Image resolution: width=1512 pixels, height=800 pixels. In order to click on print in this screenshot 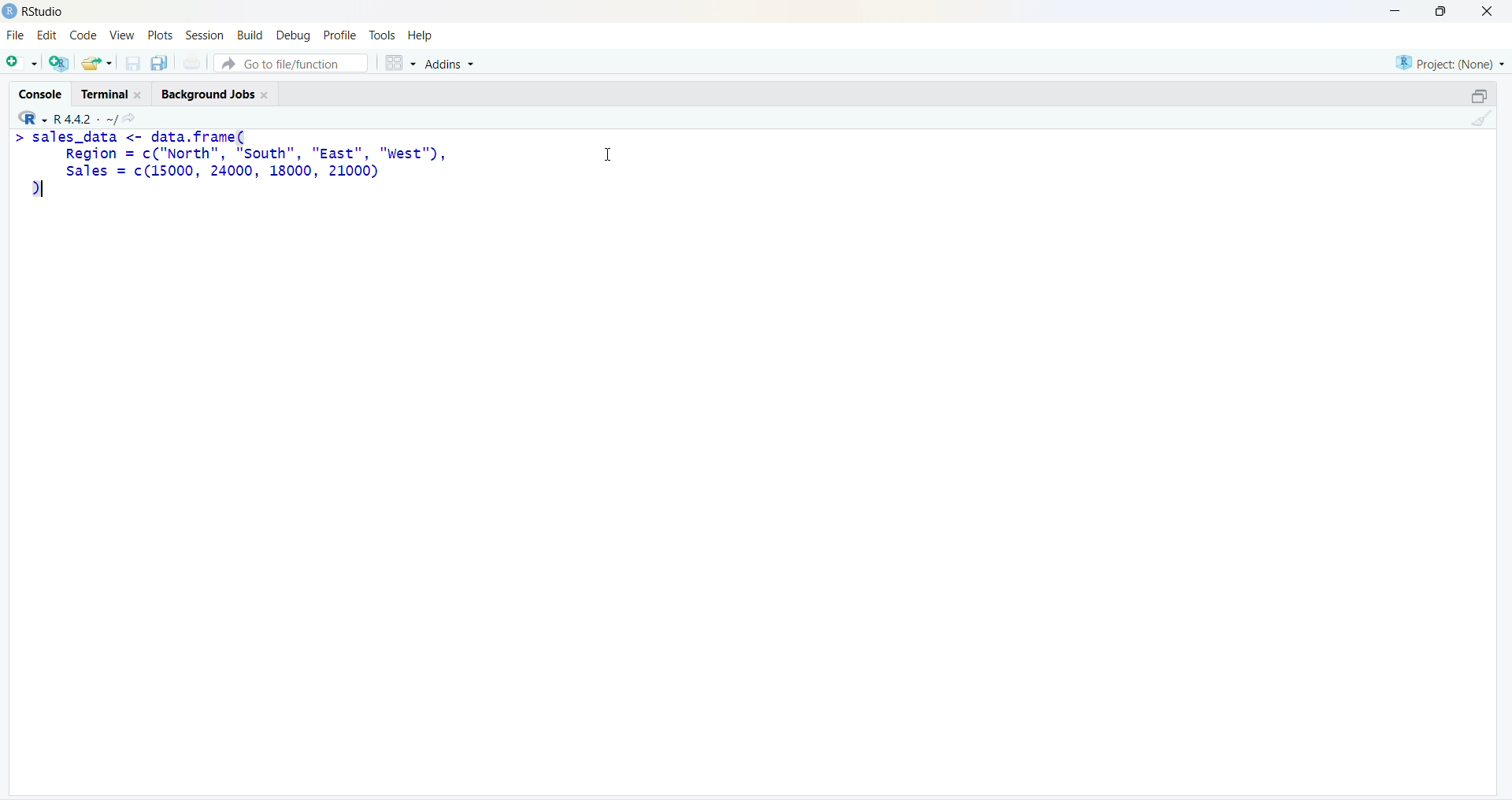, I will do `click(192, 65)`.